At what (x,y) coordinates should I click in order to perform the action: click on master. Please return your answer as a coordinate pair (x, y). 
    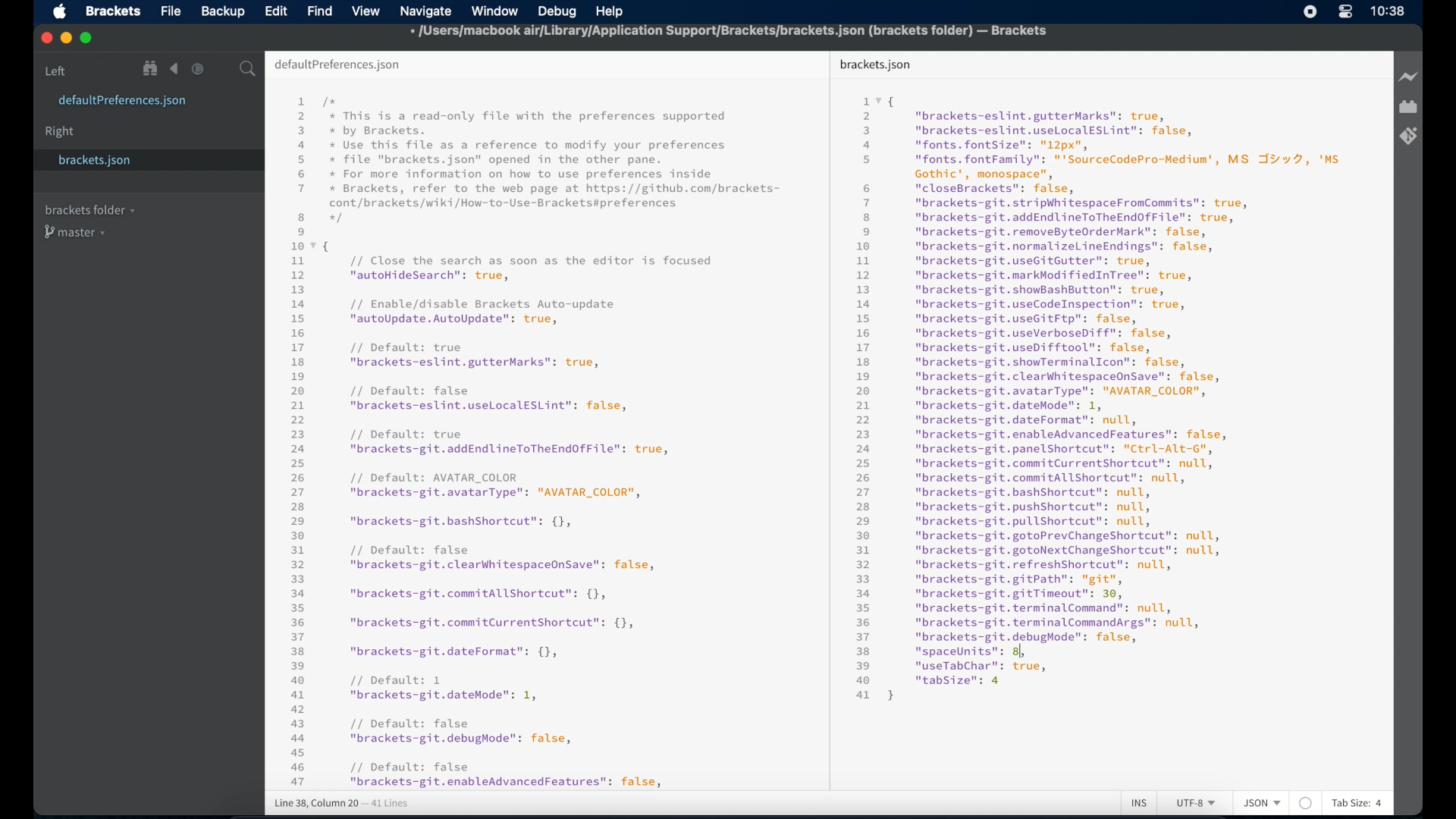
    Looking at the image, I should click on (77, 232).